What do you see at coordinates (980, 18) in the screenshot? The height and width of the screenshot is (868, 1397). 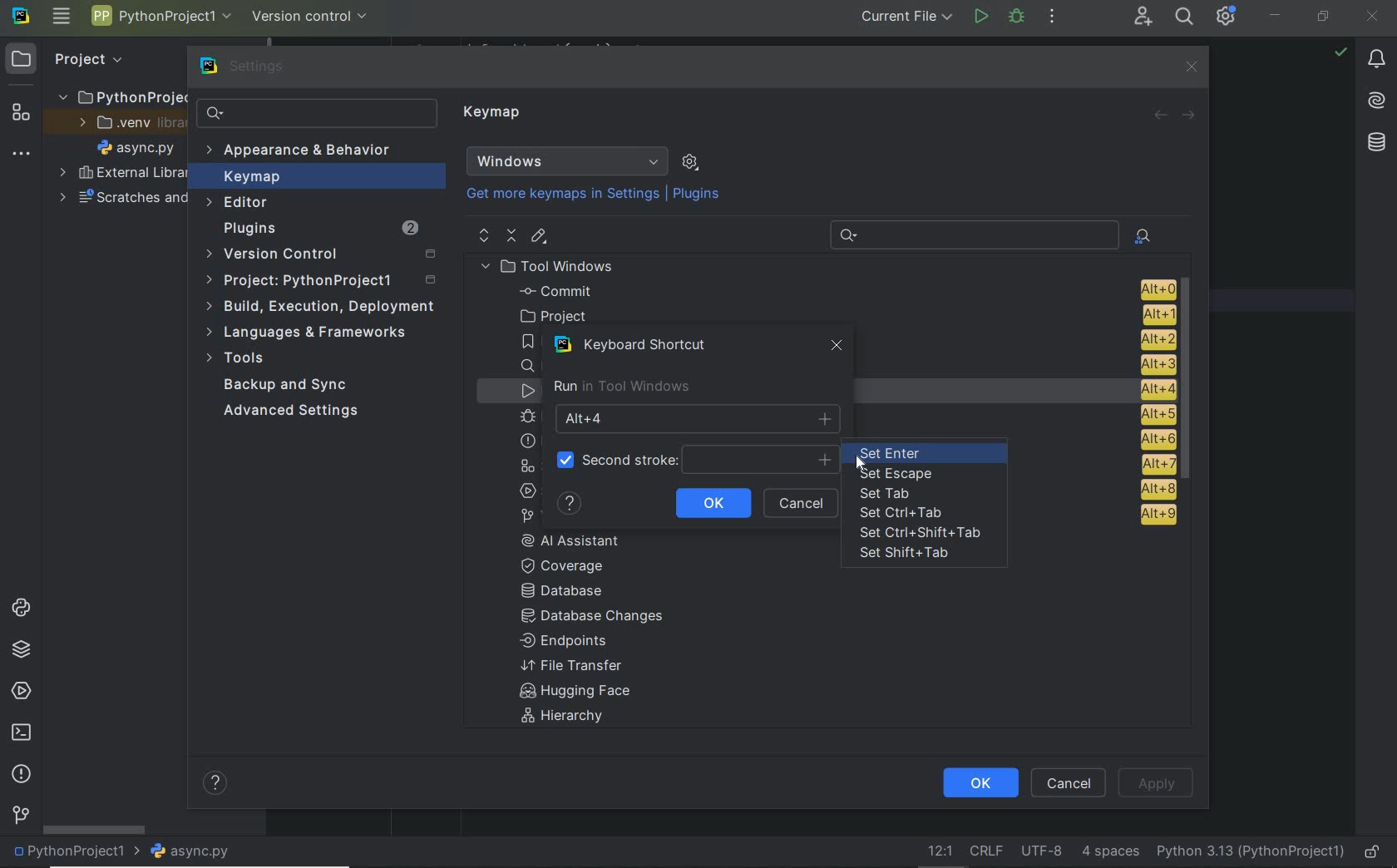 I see `run` at bounding box center [980, 18].